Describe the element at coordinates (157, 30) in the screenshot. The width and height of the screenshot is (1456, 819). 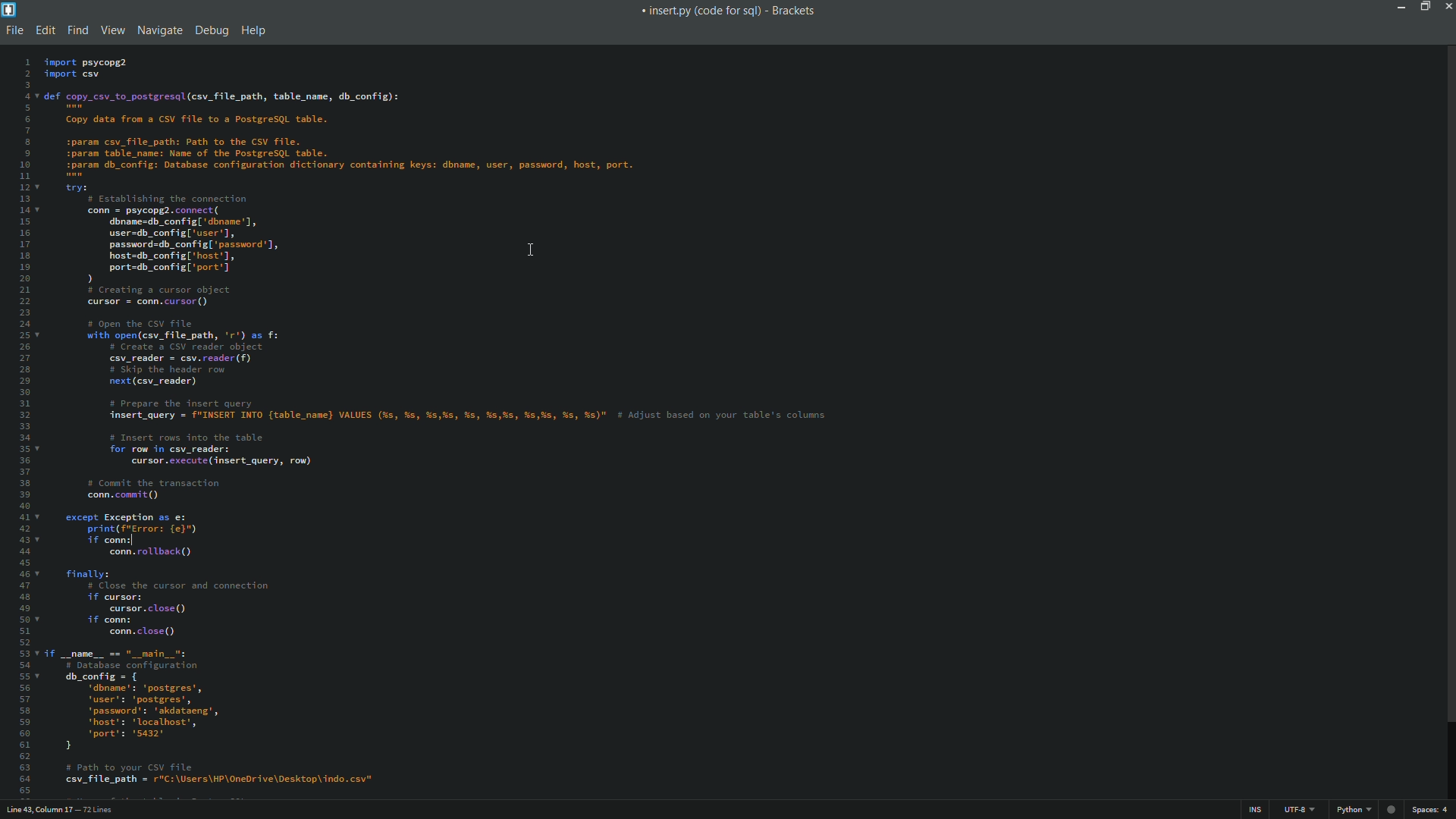
I see `navigate menu` at that location.